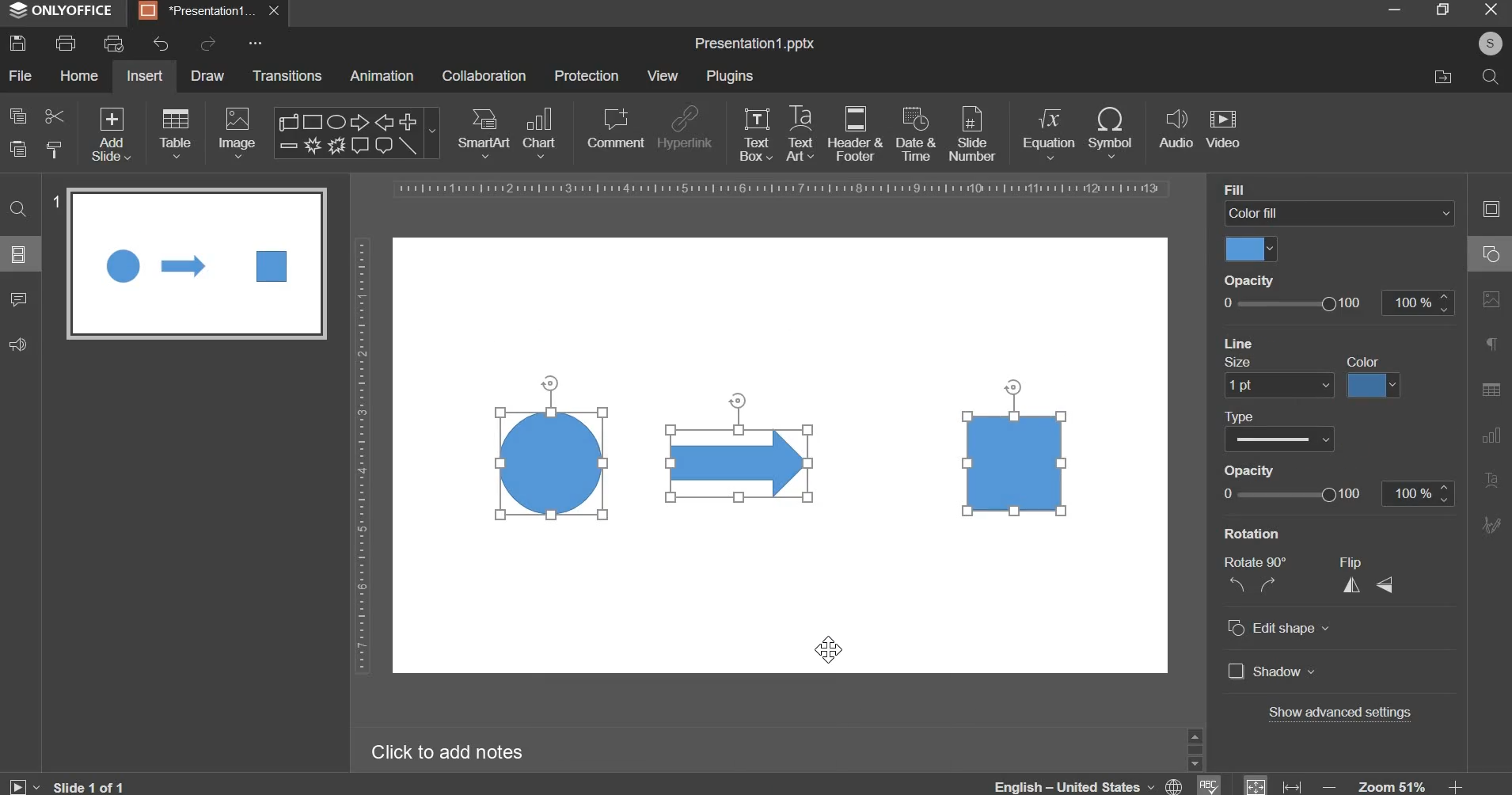 Image resolution: width=1512 pixels, height=795 pixels. What do you see at coordinates (1260, 562) in the screenshot?
I see `Rotate 90°` at bounding box center [1260, 562].